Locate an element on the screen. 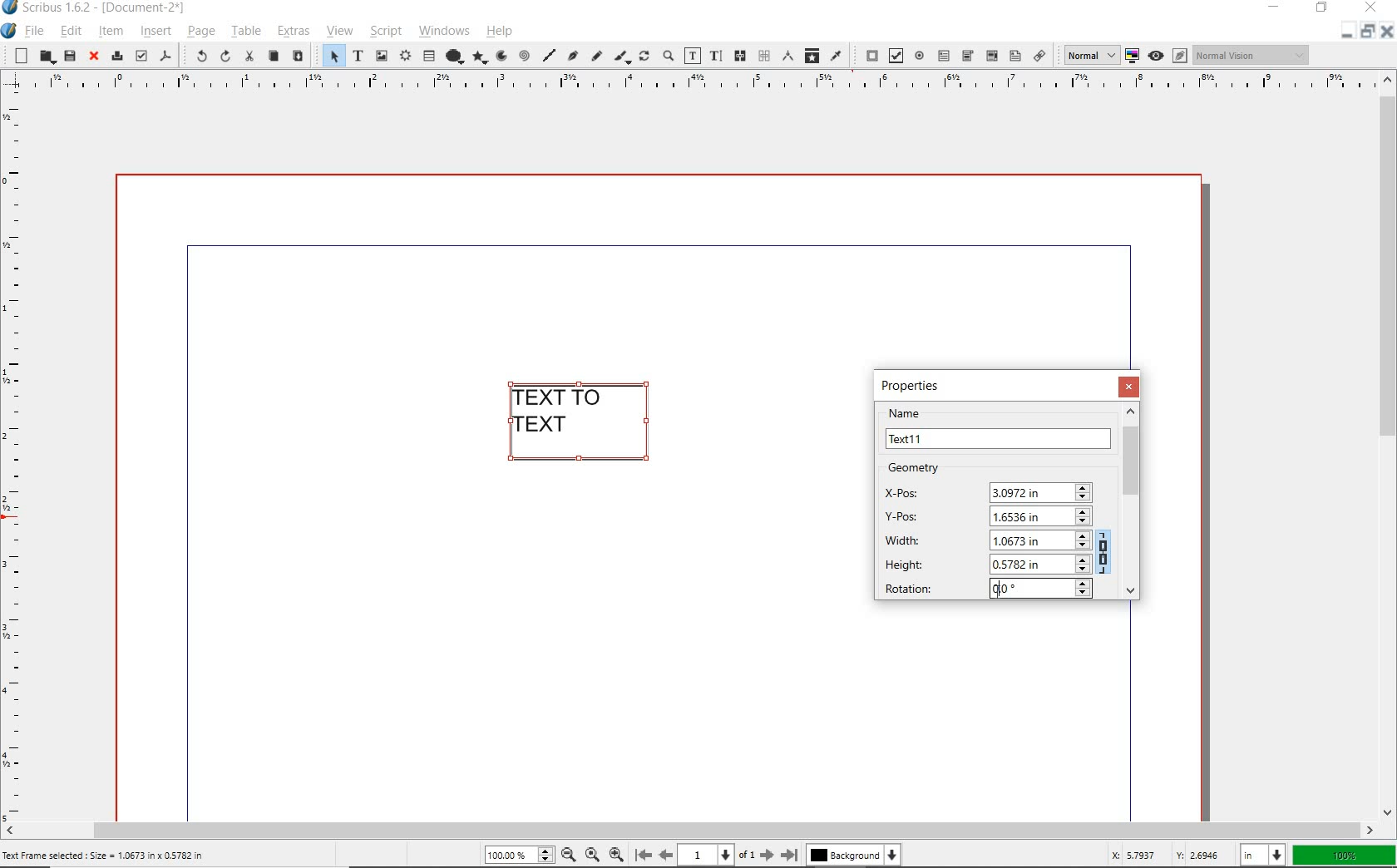 The image size is (1397, 868). EDITOR is located at coordinates (1000, 591).